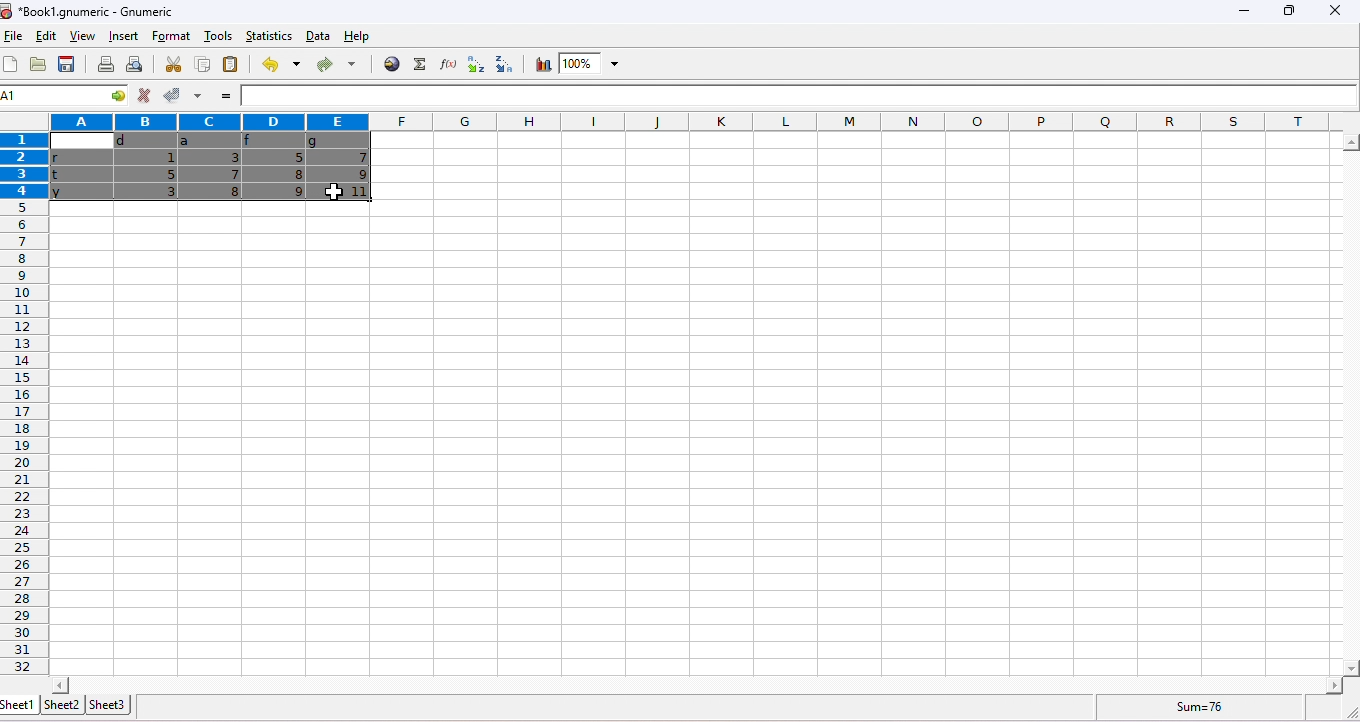  I want to click on Horizontal scrollbar, so click(697, 684).